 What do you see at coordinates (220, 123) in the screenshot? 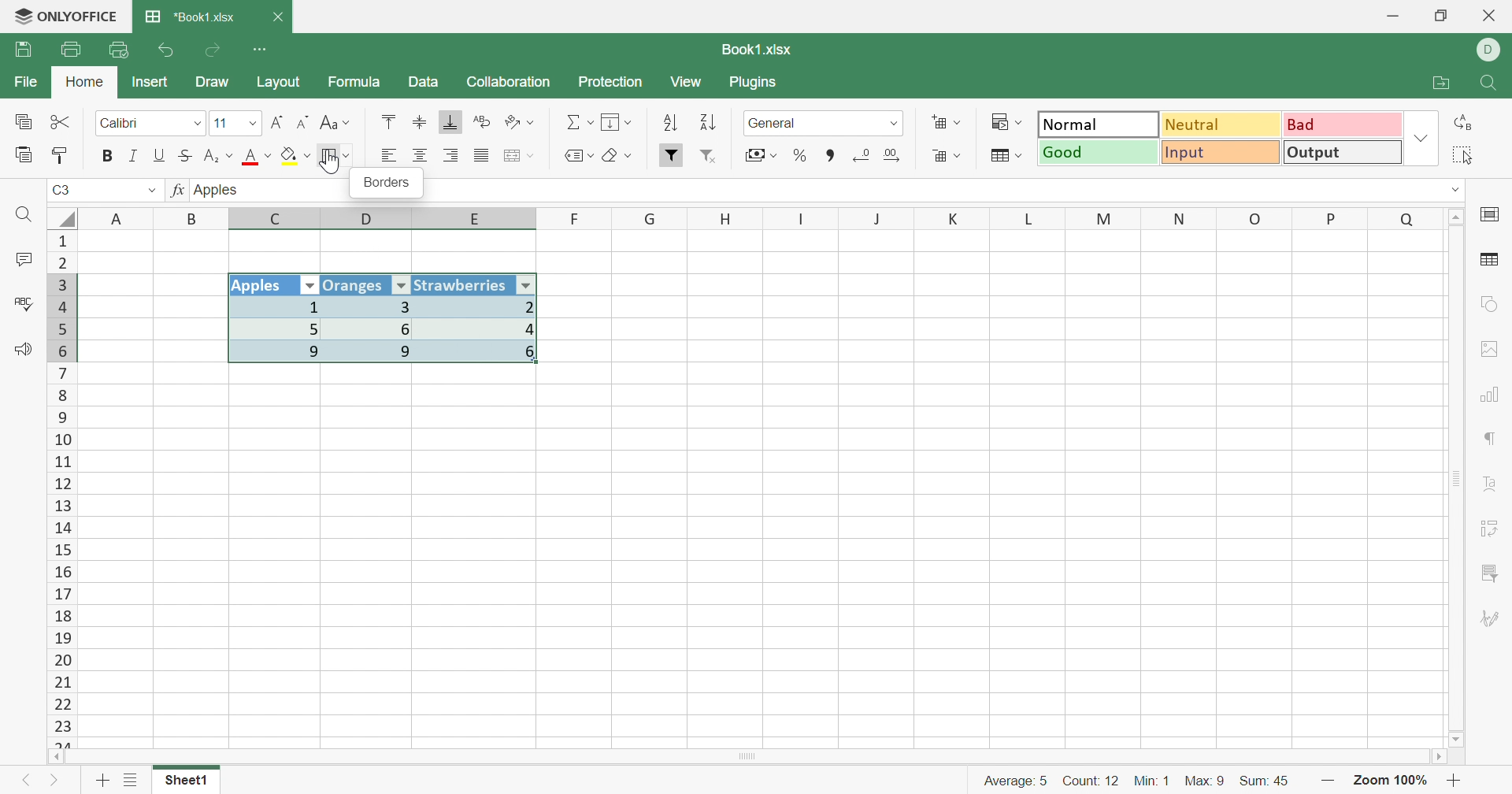
I see `11` at bounding box center [220, 123].